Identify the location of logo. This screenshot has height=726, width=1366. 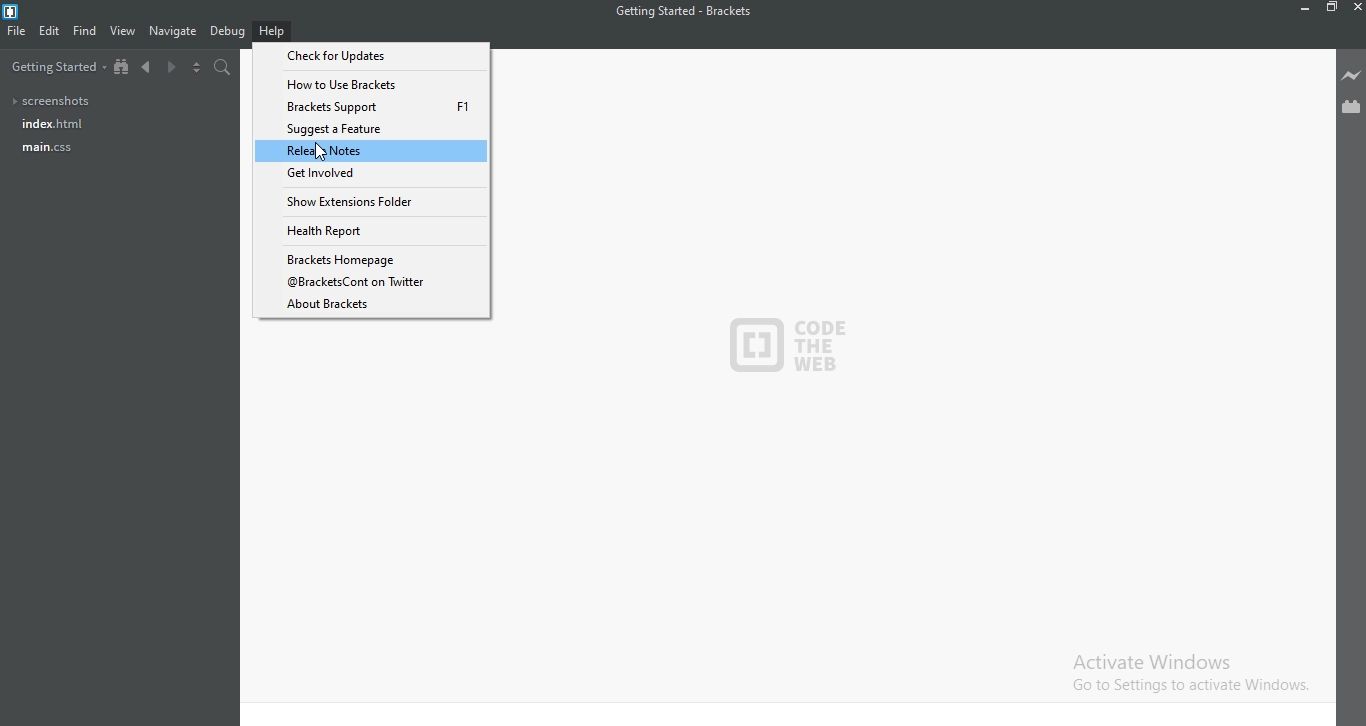
(785, 343).